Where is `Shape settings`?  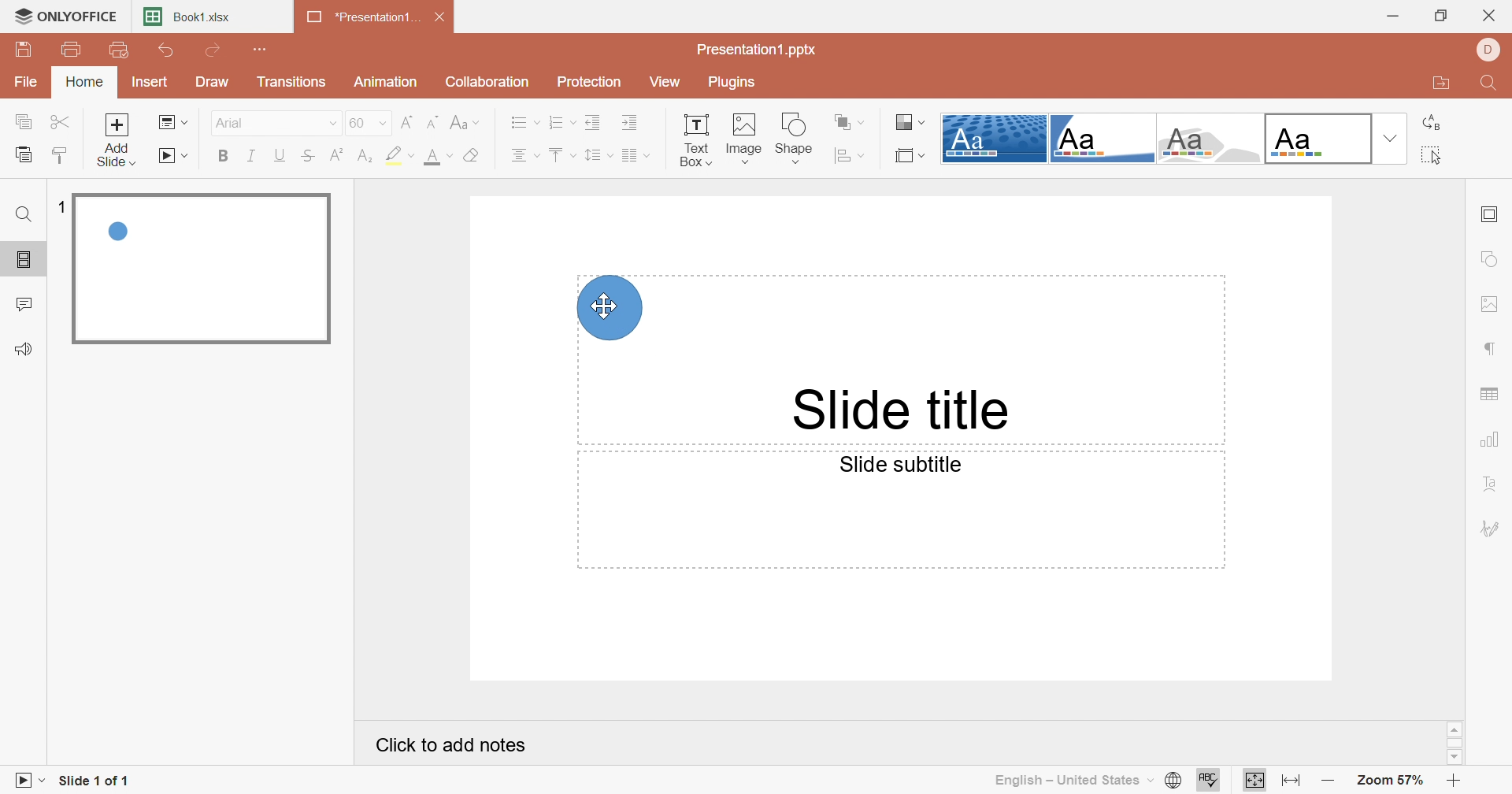 Shape settings is located at coordinates (1492, 258).